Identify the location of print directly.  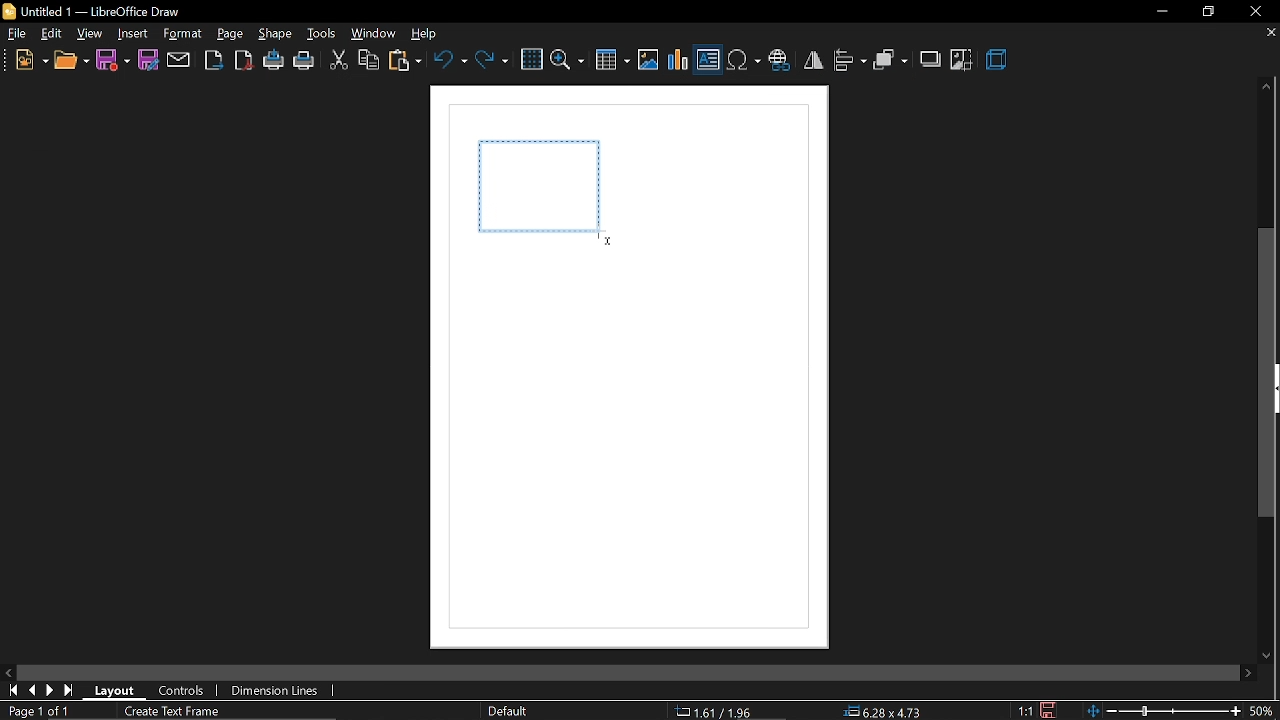
(275, 61).